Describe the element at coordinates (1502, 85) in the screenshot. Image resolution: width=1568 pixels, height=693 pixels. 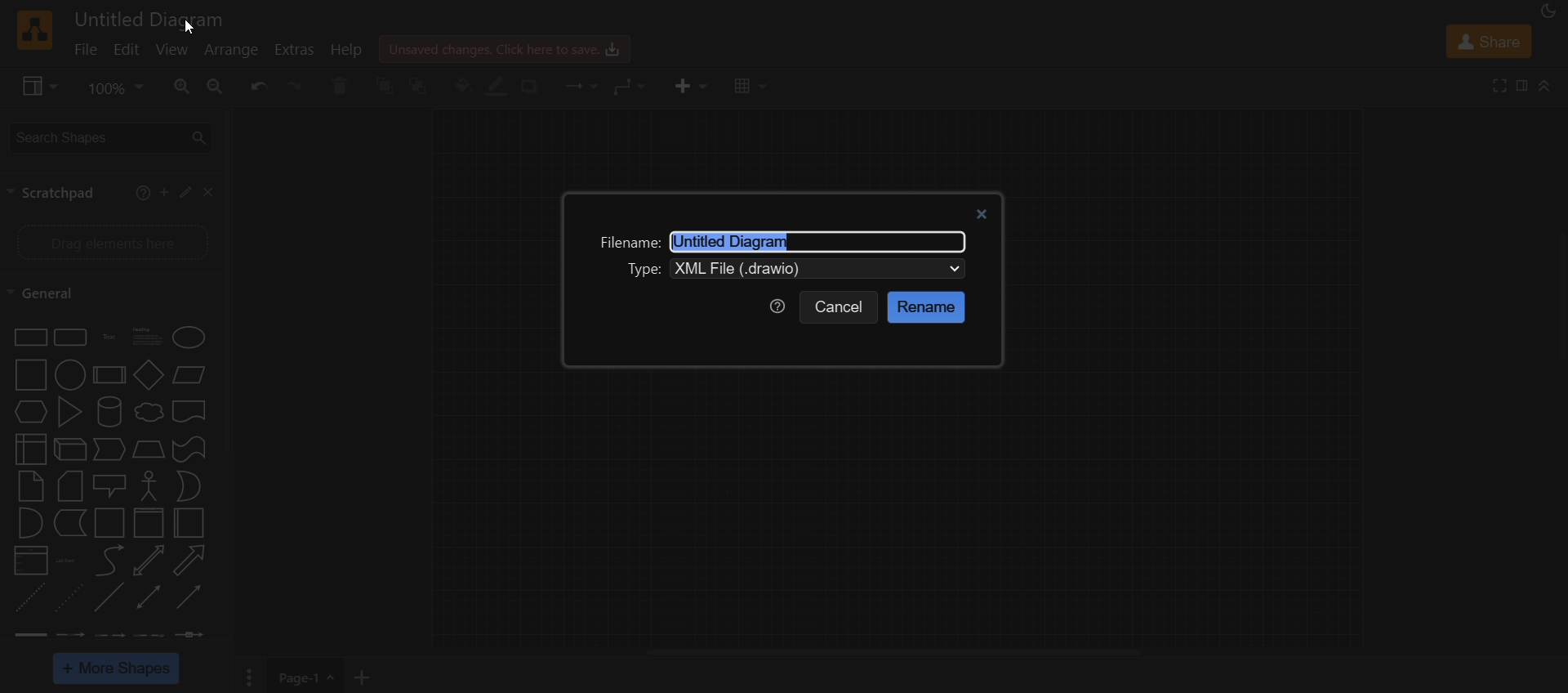
I see `full screen` at that location.